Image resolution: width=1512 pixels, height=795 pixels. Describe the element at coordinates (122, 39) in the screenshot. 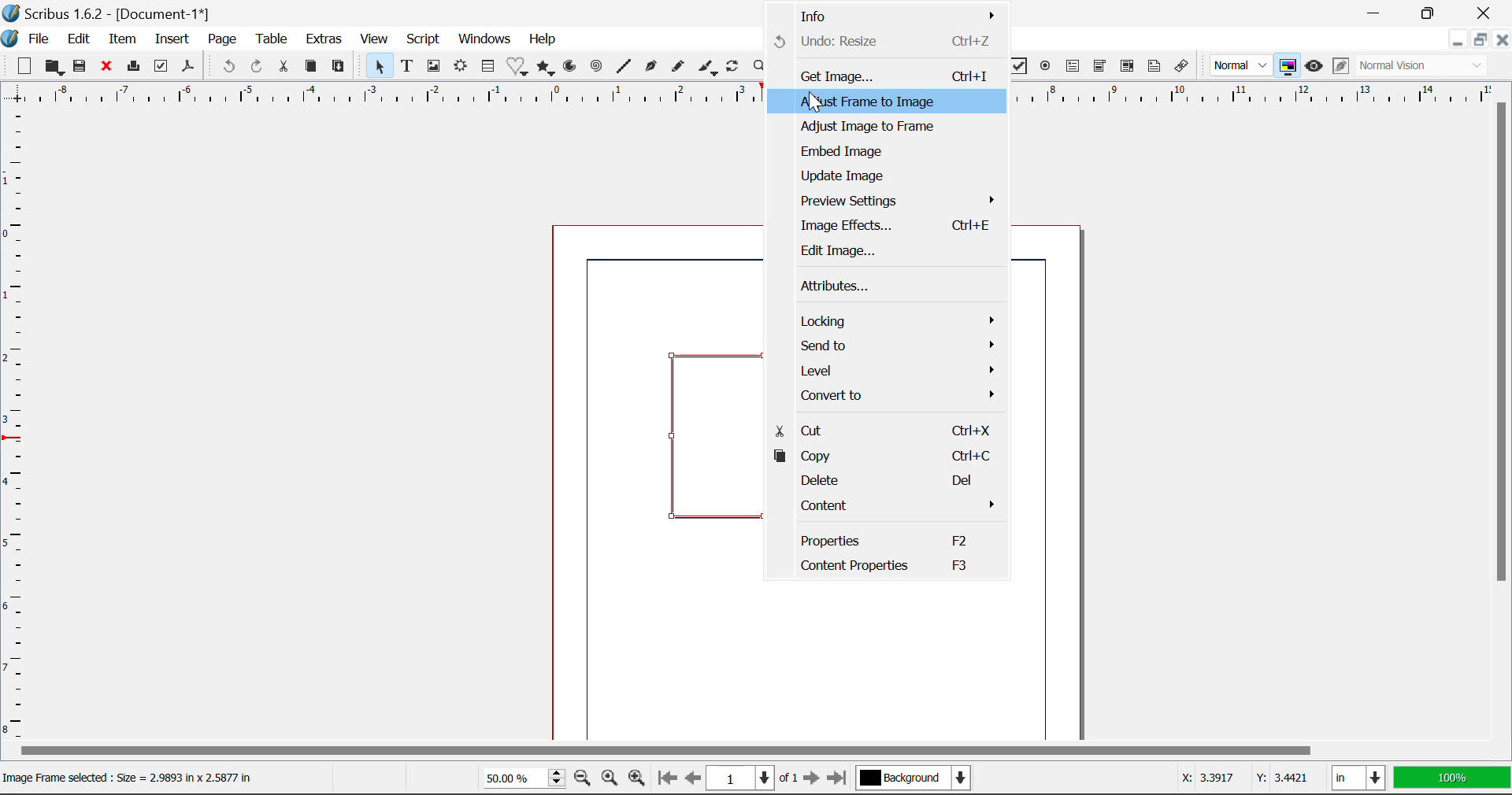

I see `Item` at that location.